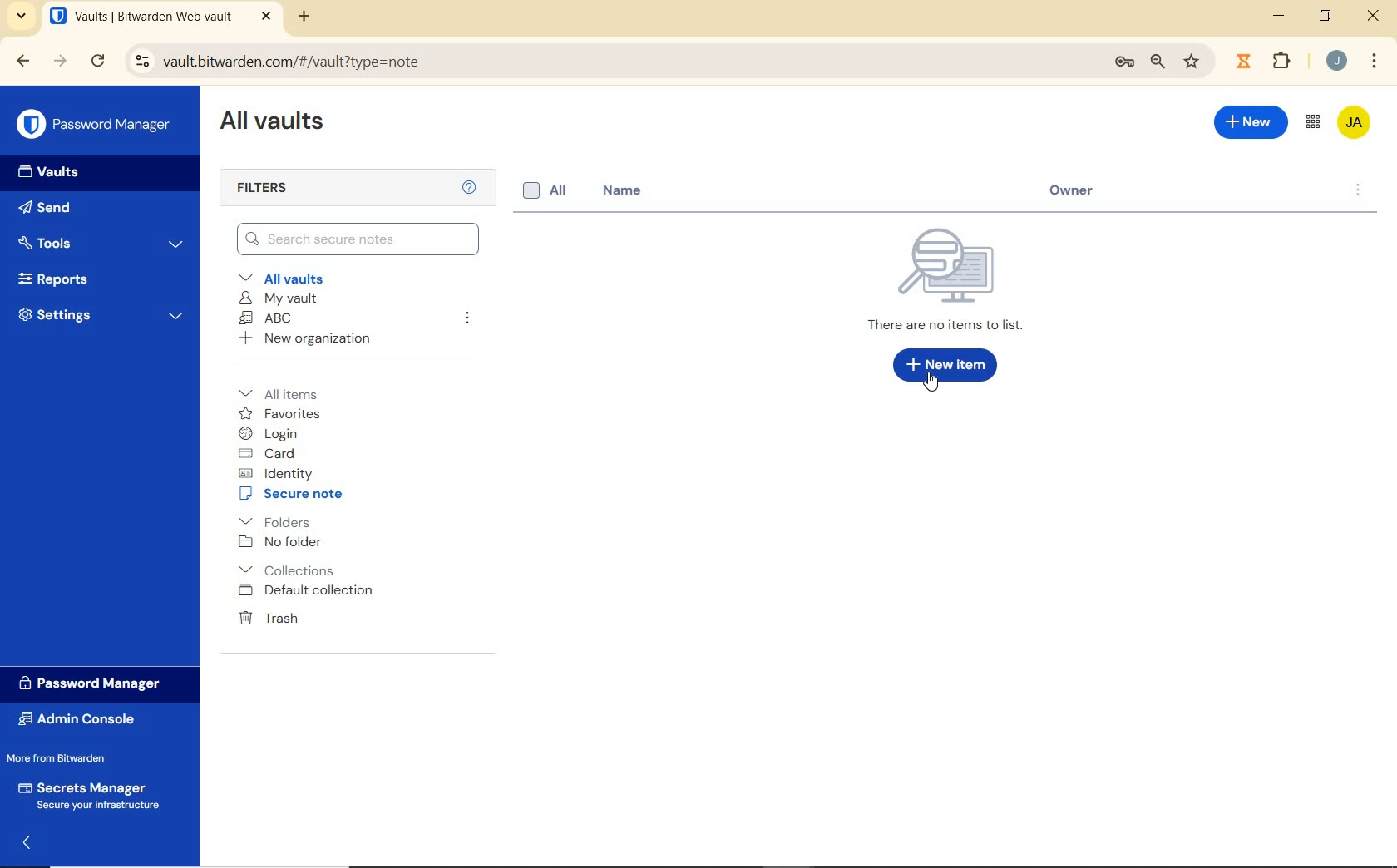 The image size is (1397, 868). I want to click on Send, so click(50, 206).